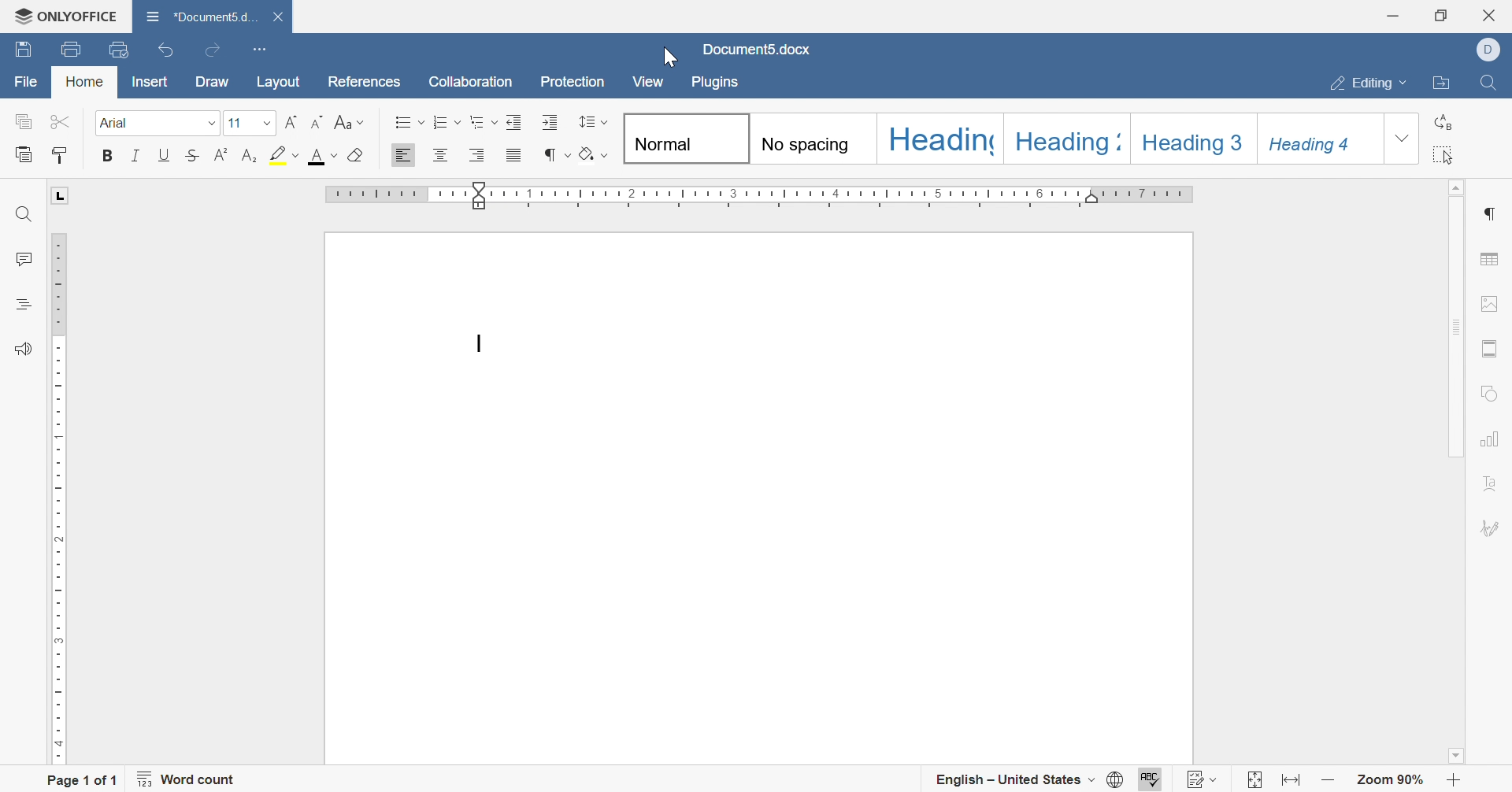 This screenshot has width=1512, height=792. What do you see at coordinates (26, 47) in the screenshot?
I see `save` at bounding box center [26, 47].